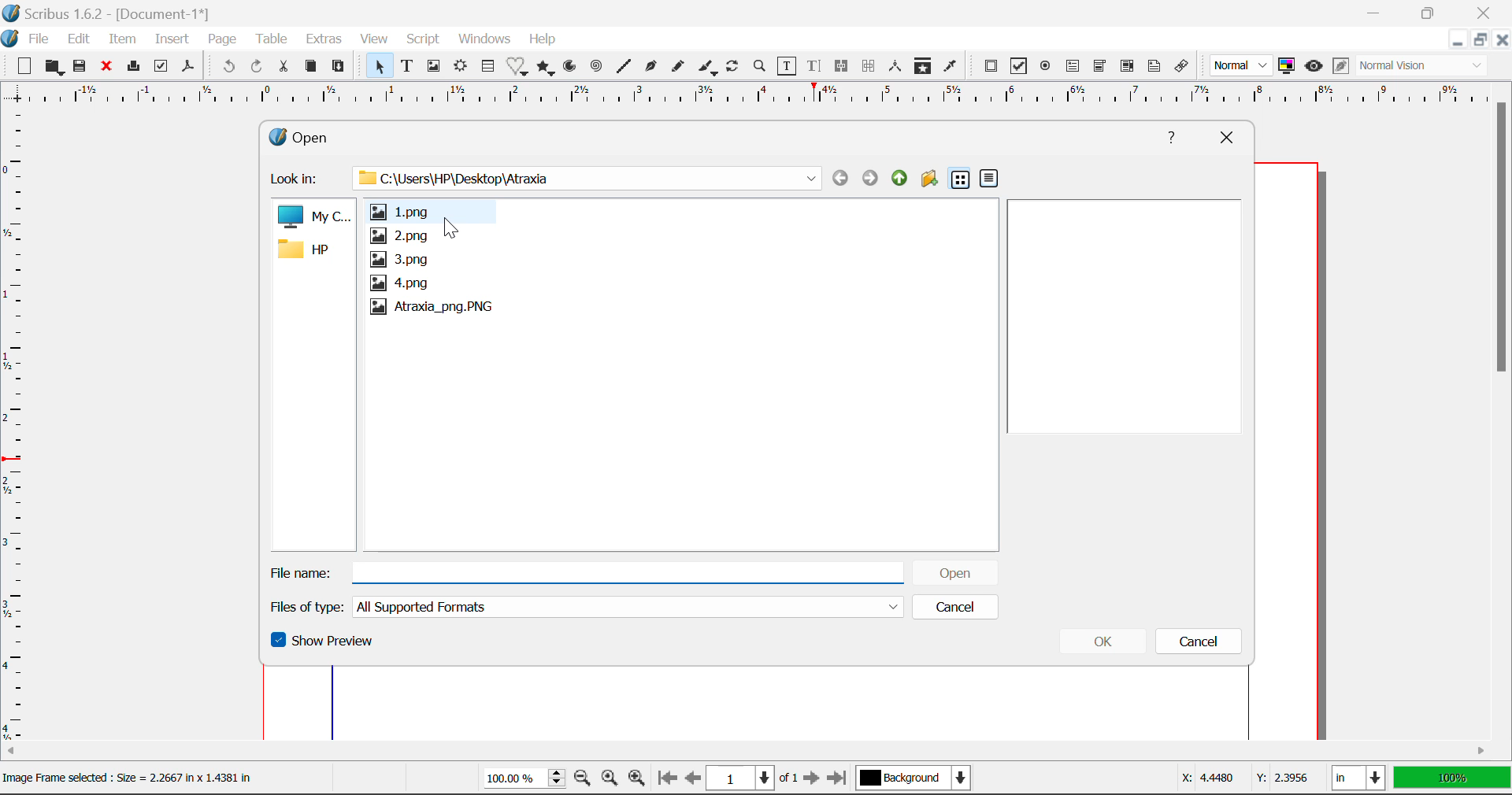 The image size is (1512, 795). I want to click on Freehand Curve, so click(680, 66).